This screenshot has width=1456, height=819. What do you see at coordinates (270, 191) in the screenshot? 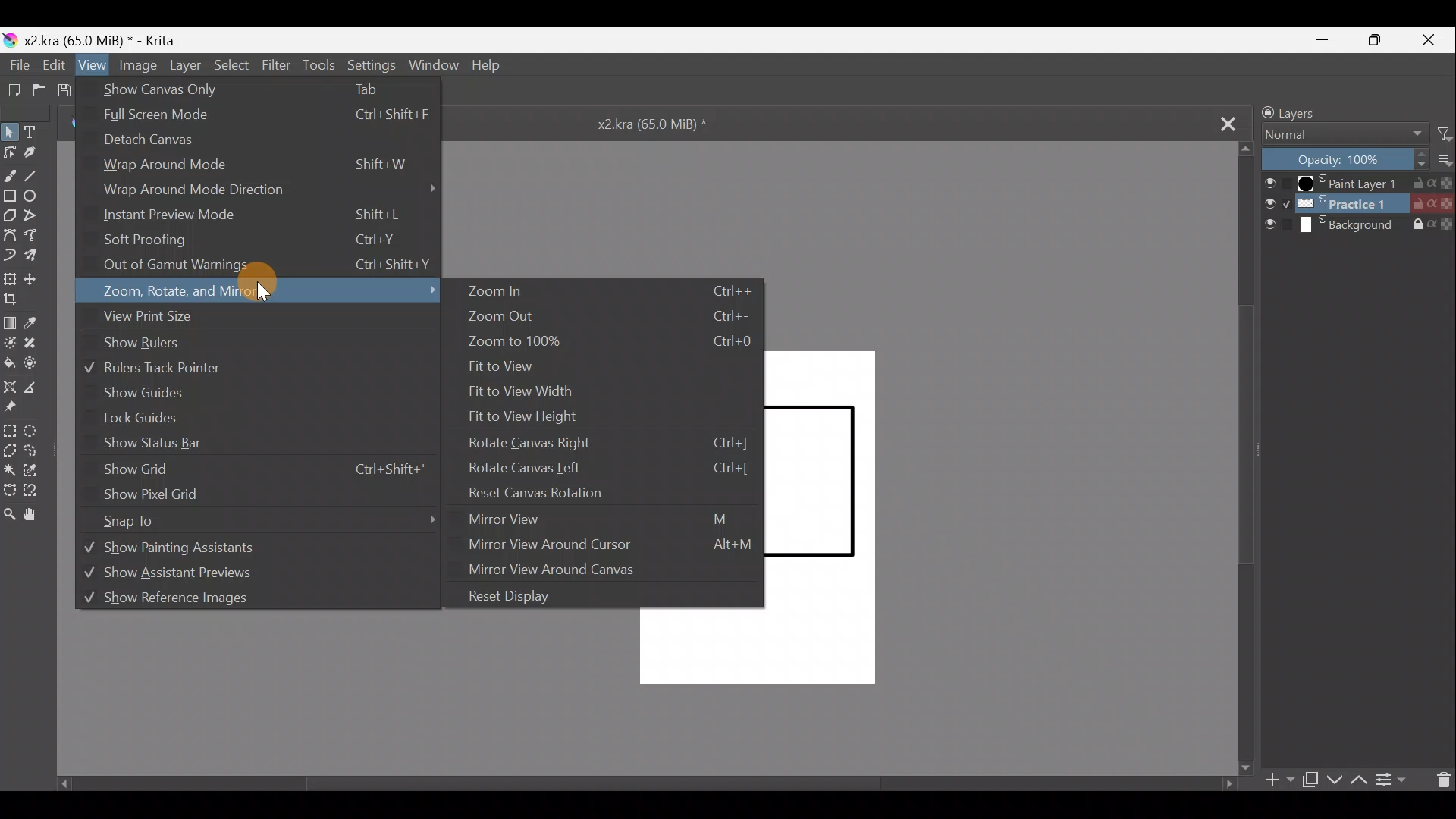
I see `Wrap around mode direction` at bounding box center [270, 191].